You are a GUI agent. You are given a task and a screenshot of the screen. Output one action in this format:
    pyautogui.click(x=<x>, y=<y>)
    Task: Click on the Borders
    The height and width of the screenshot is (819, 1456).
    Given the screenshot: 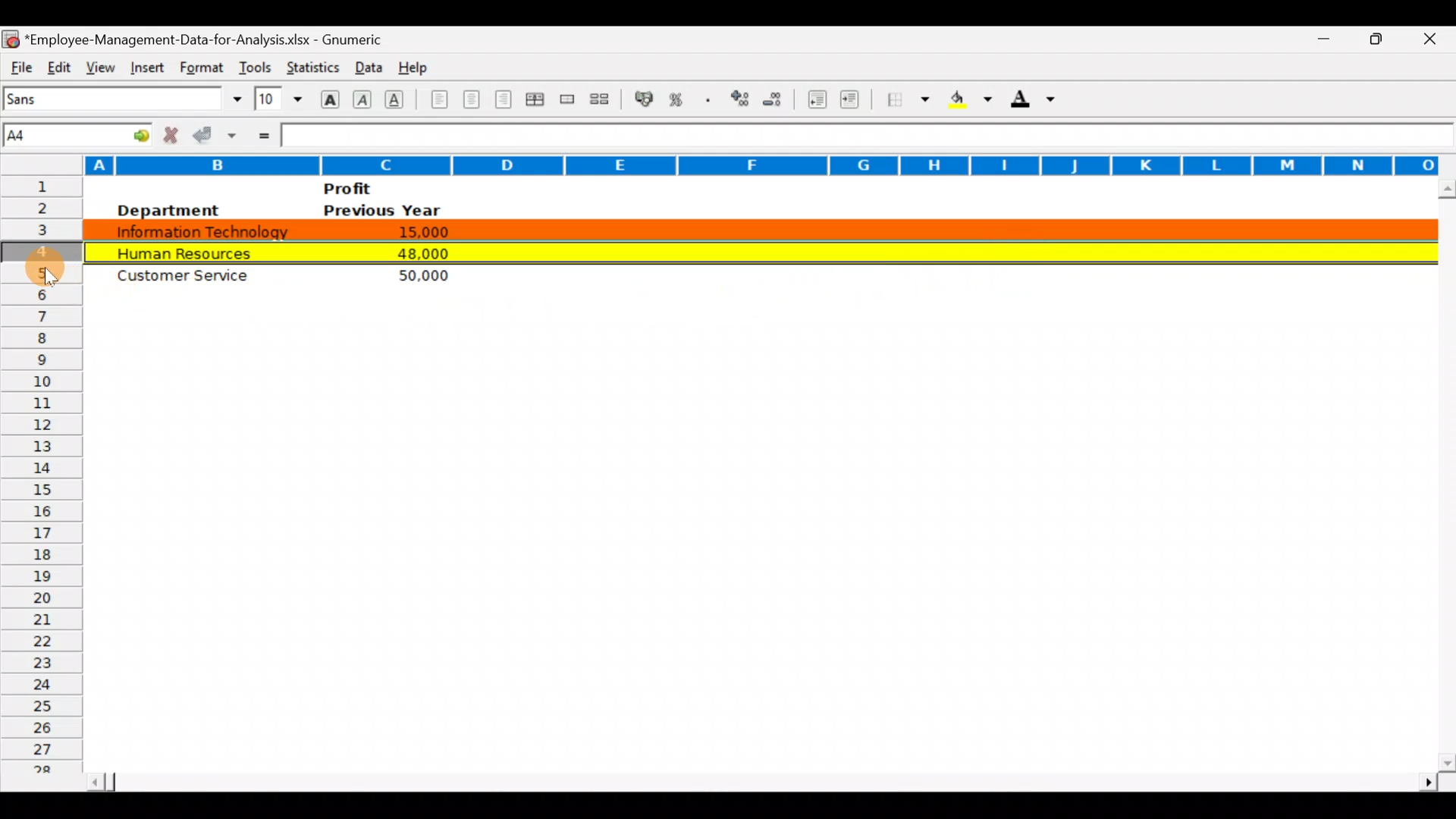 What is the action you would take?
    pyautogui.click(x=908, y=99)
    